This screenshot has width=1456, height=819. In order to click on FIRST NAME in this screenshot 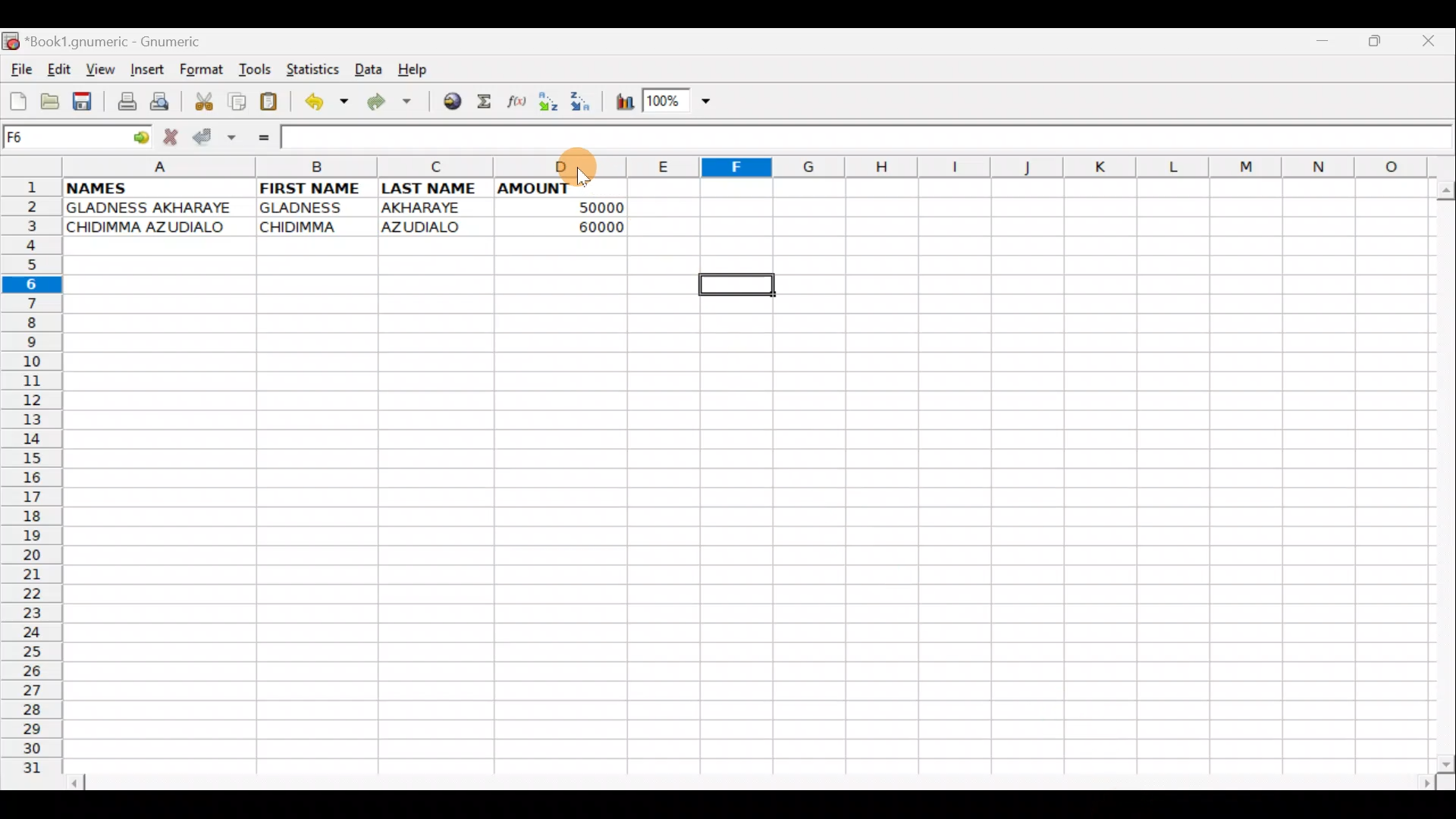, I will do `click(313, 188)`.